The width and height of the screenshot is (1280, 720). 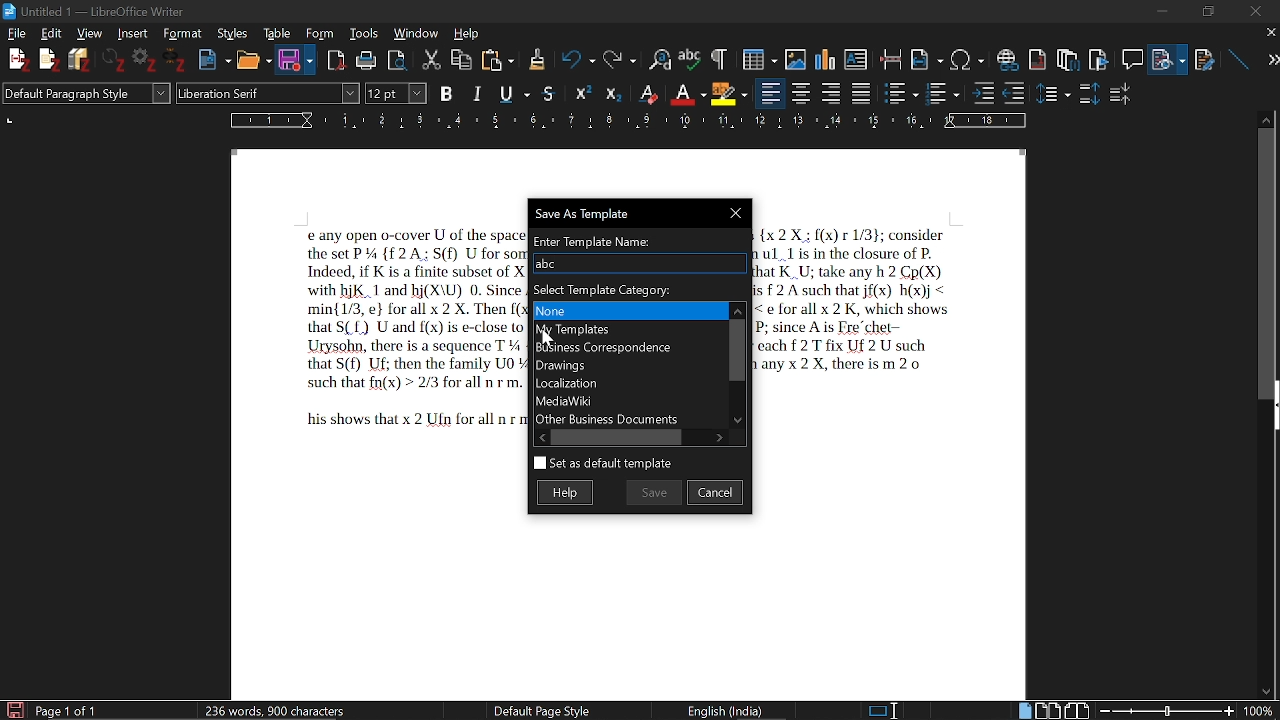 What do you see at coordinates (858, 55) in the screenshot?
I see `Insert text` at bounding box center [858, 55].